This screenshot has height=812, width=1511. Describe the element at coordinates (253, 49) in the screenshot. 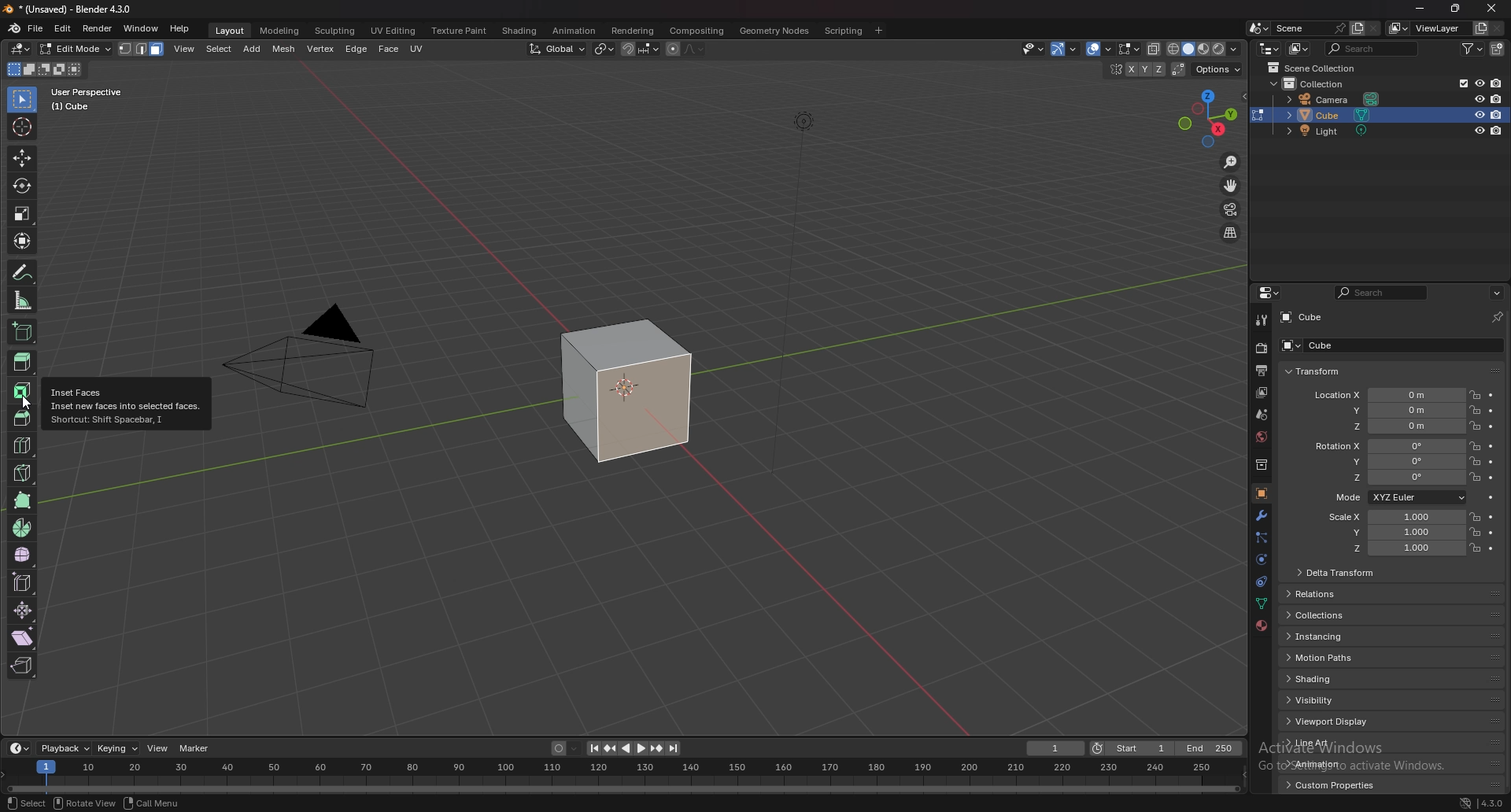

I see `add` at that location.